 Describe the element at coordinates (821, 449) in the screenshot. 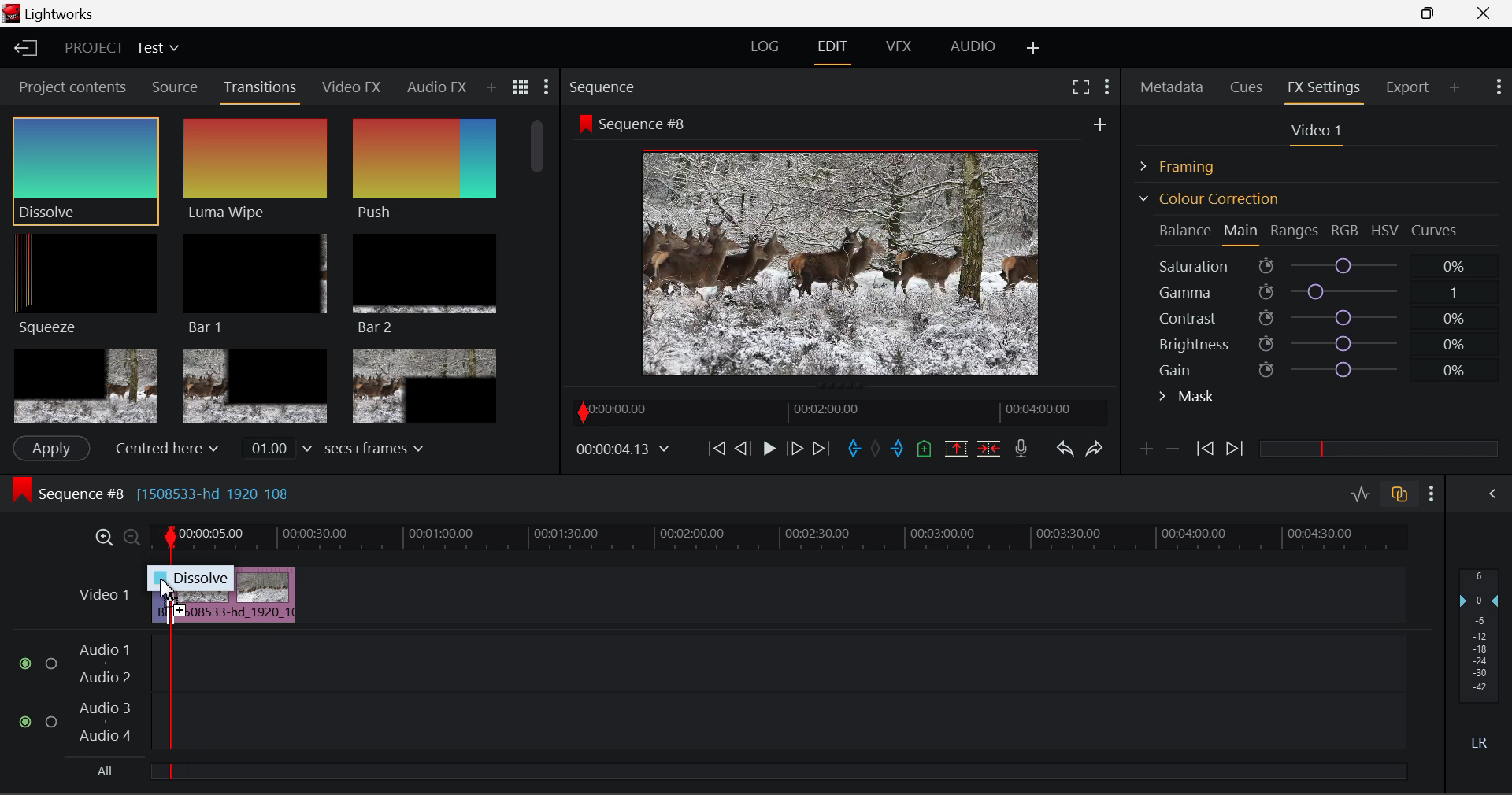

I see `To End` at that location.